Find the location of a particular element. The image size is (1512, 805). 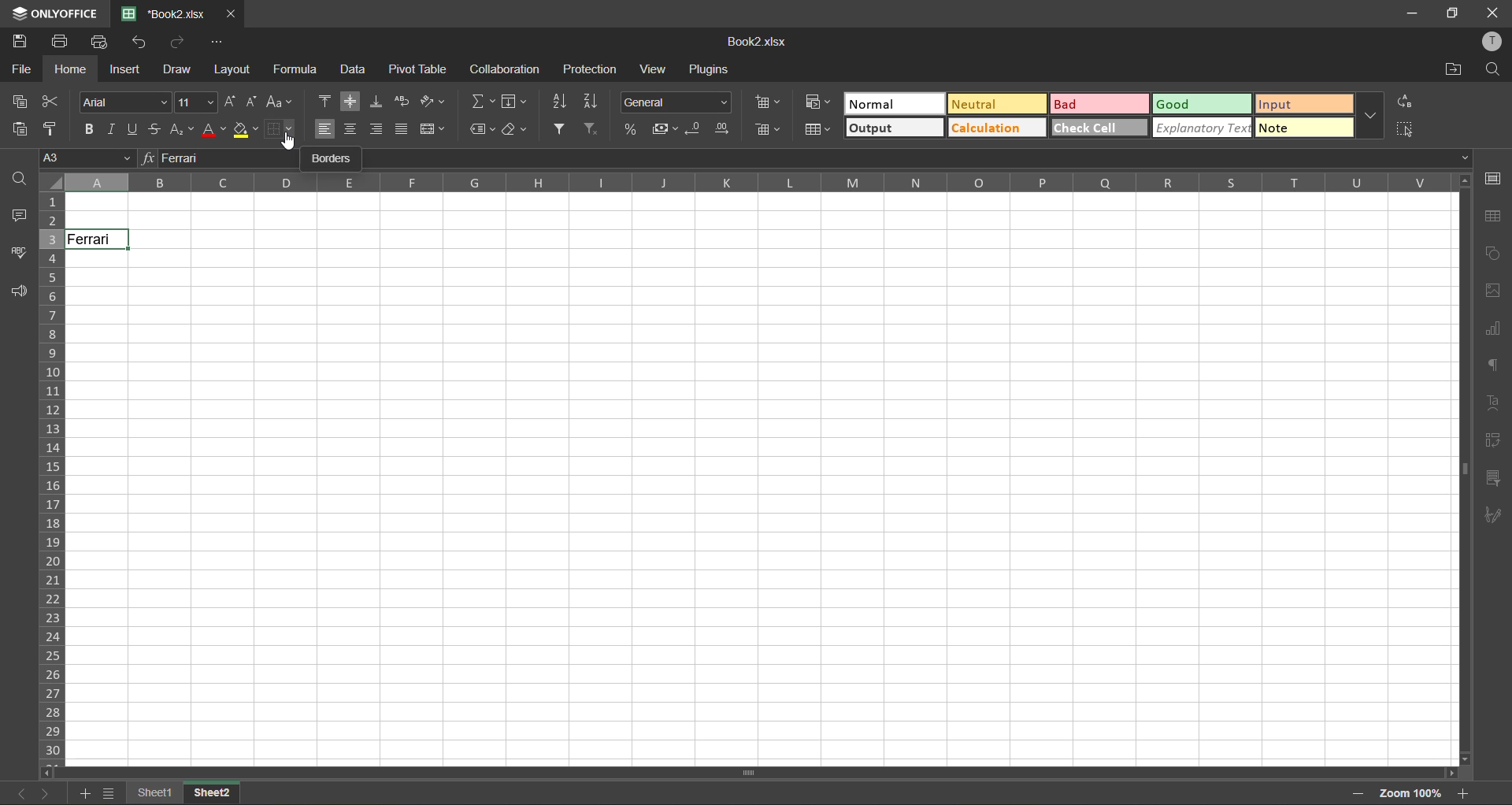

sheet list is located at coordinates (109, 792).